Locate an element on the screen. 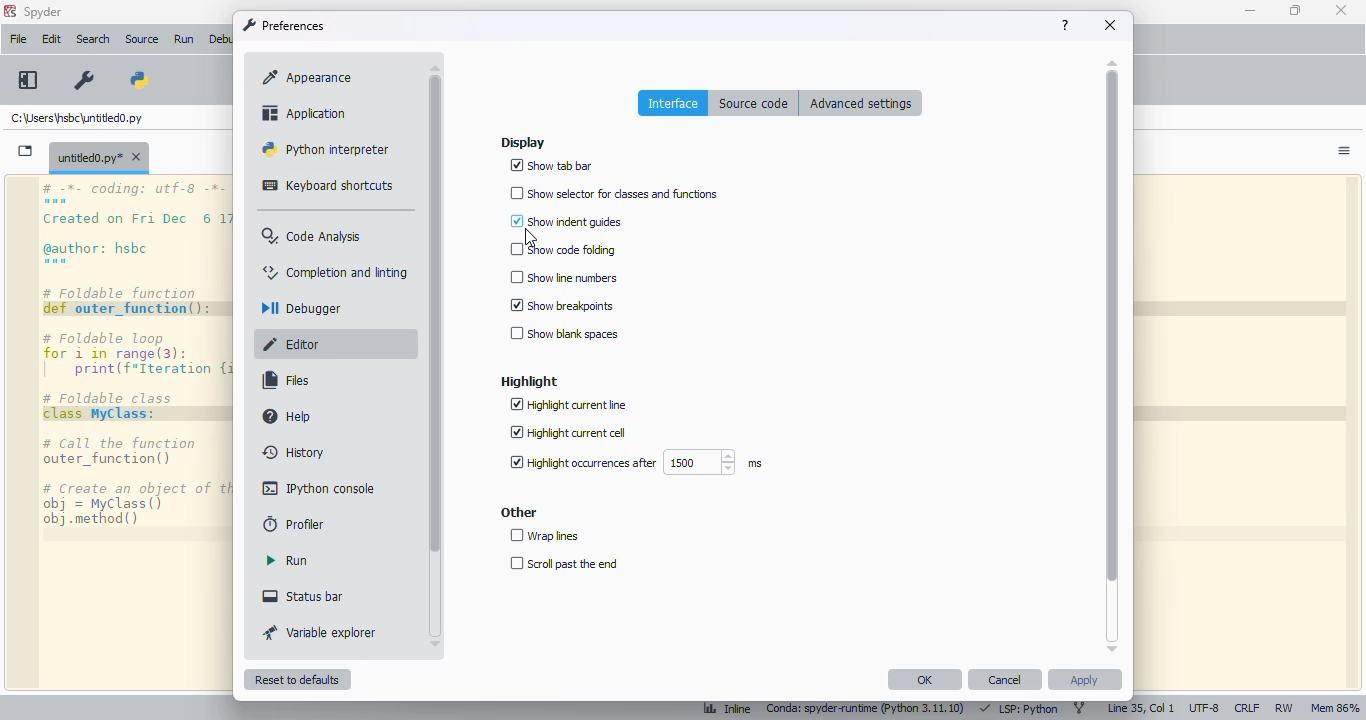 Image resolution: width=1366 pixels, height=720 pixels. debugger is located at coordinates (298, 308).